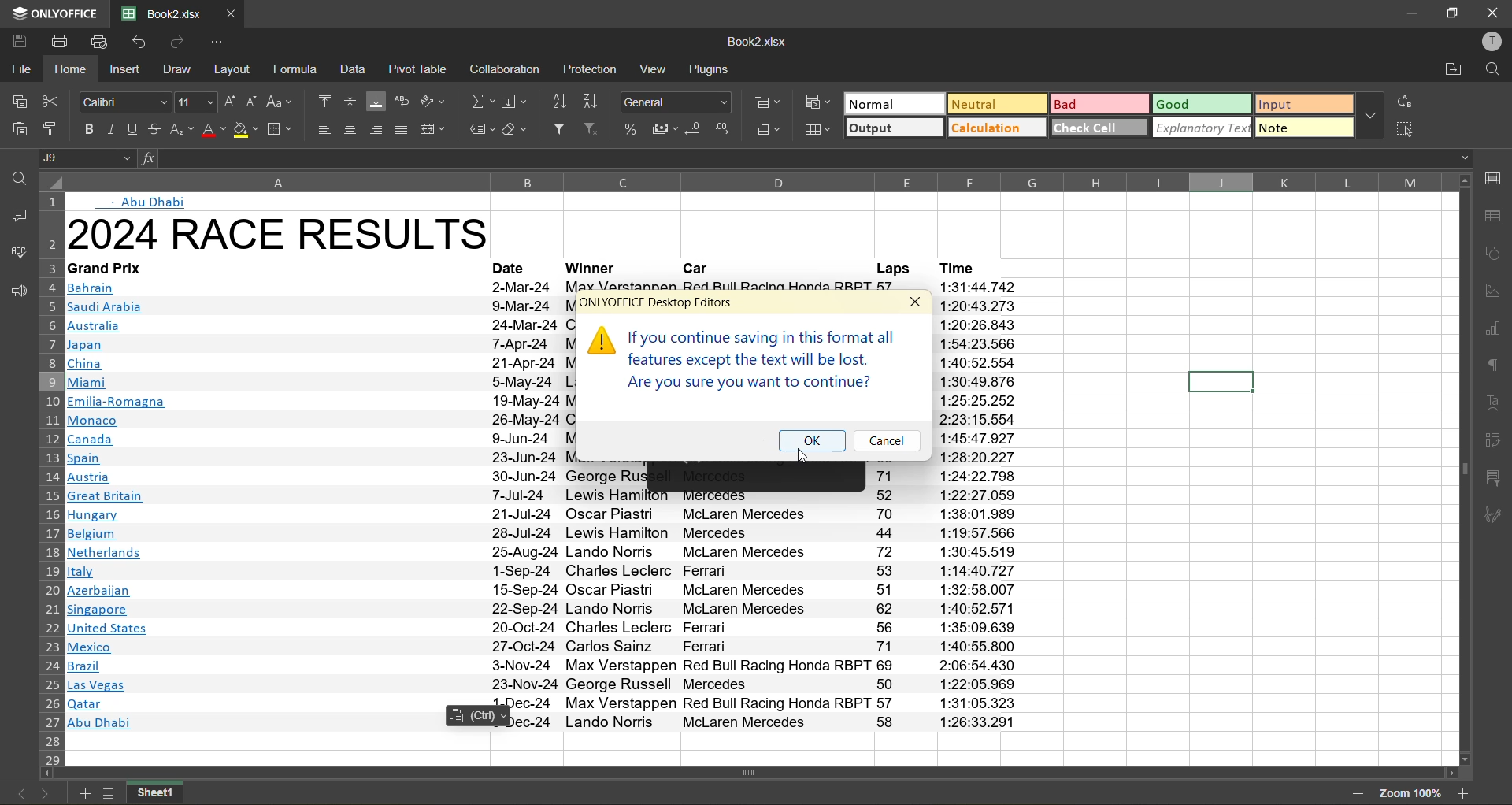 This screenshot has width=1512, height=805. I want to click on zoom out, so click(1357, 796).